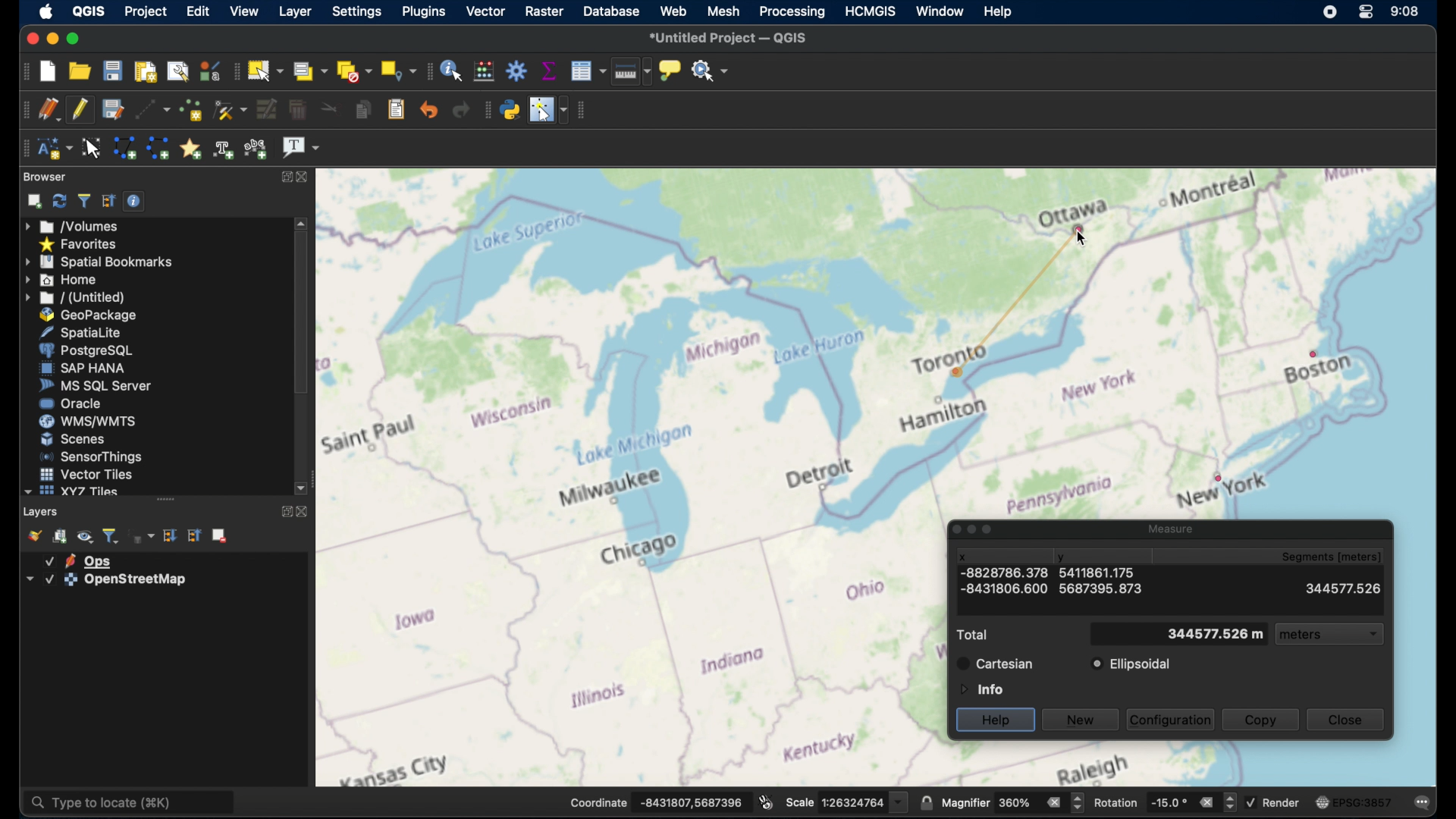  What do you see at coordinates (711, 69) in the screenshot?
I see `no action selected` at bounding box center [711, 69].